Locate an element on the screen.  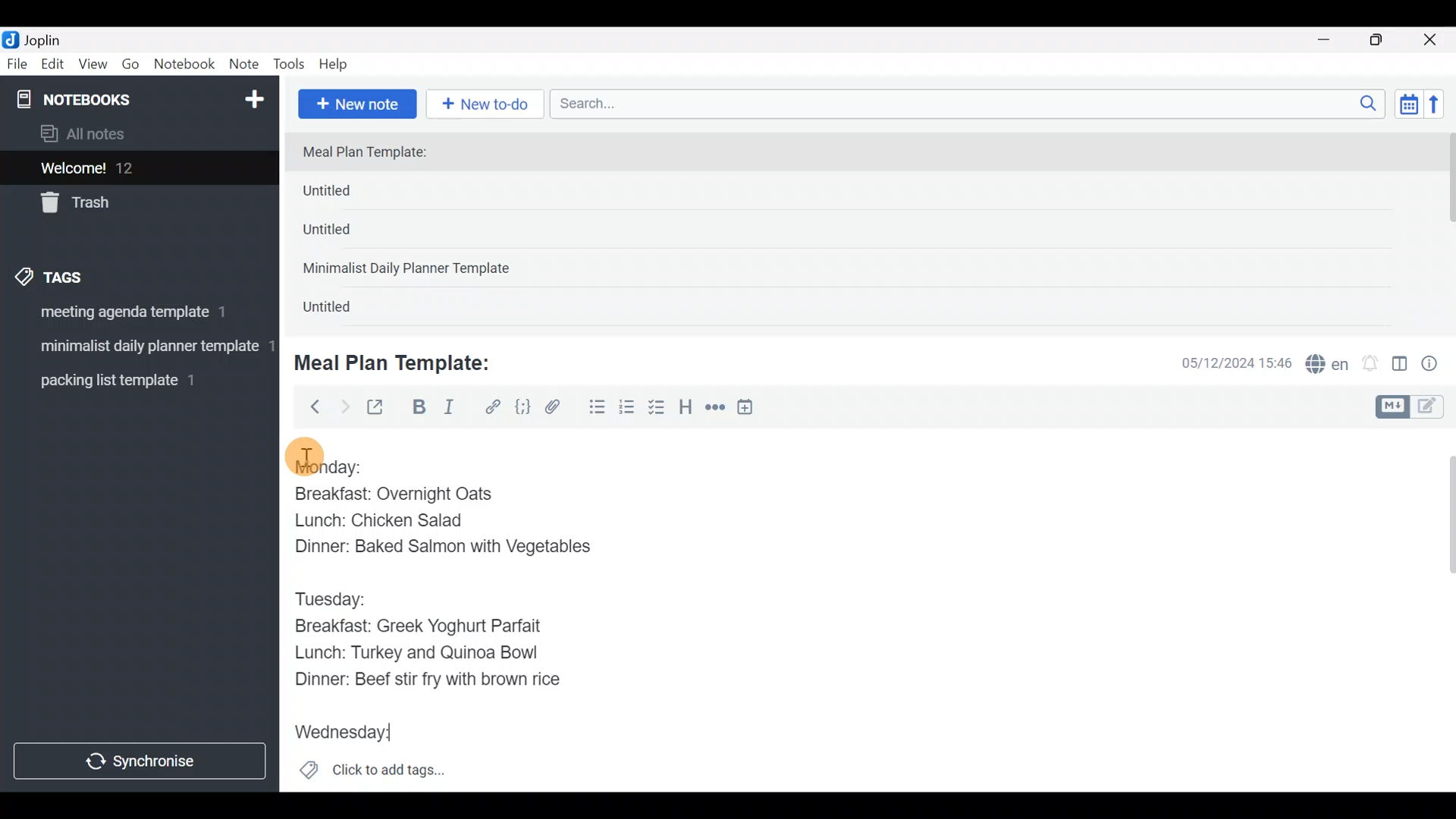
scroll bar is located at coordinates (1446, 229).